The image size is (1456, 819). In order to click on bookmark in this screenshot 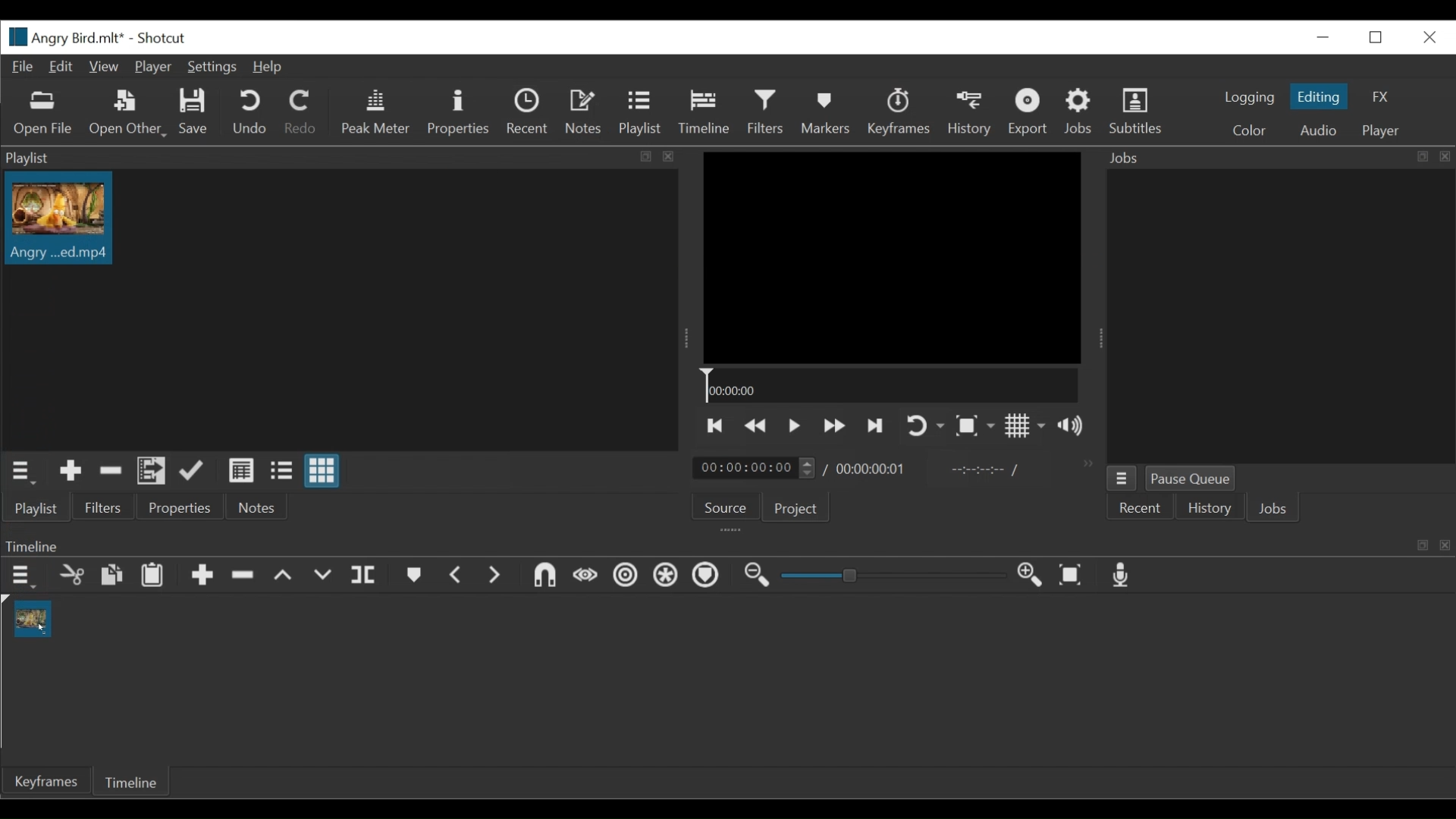, I will do `click(414, 577)`.